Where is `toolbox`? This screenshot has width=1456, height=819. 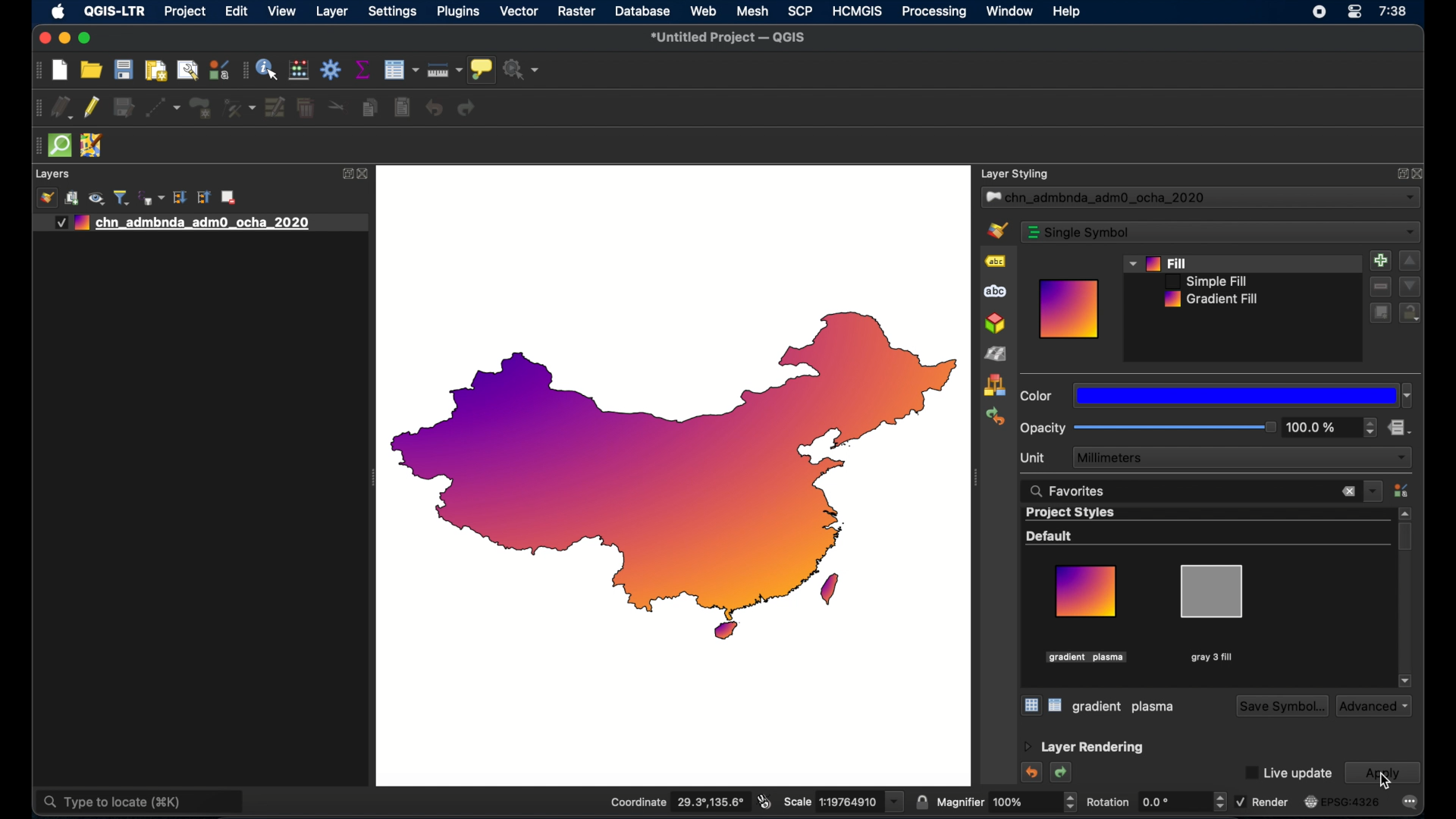
toolbox is located at coordinates (331, 70).